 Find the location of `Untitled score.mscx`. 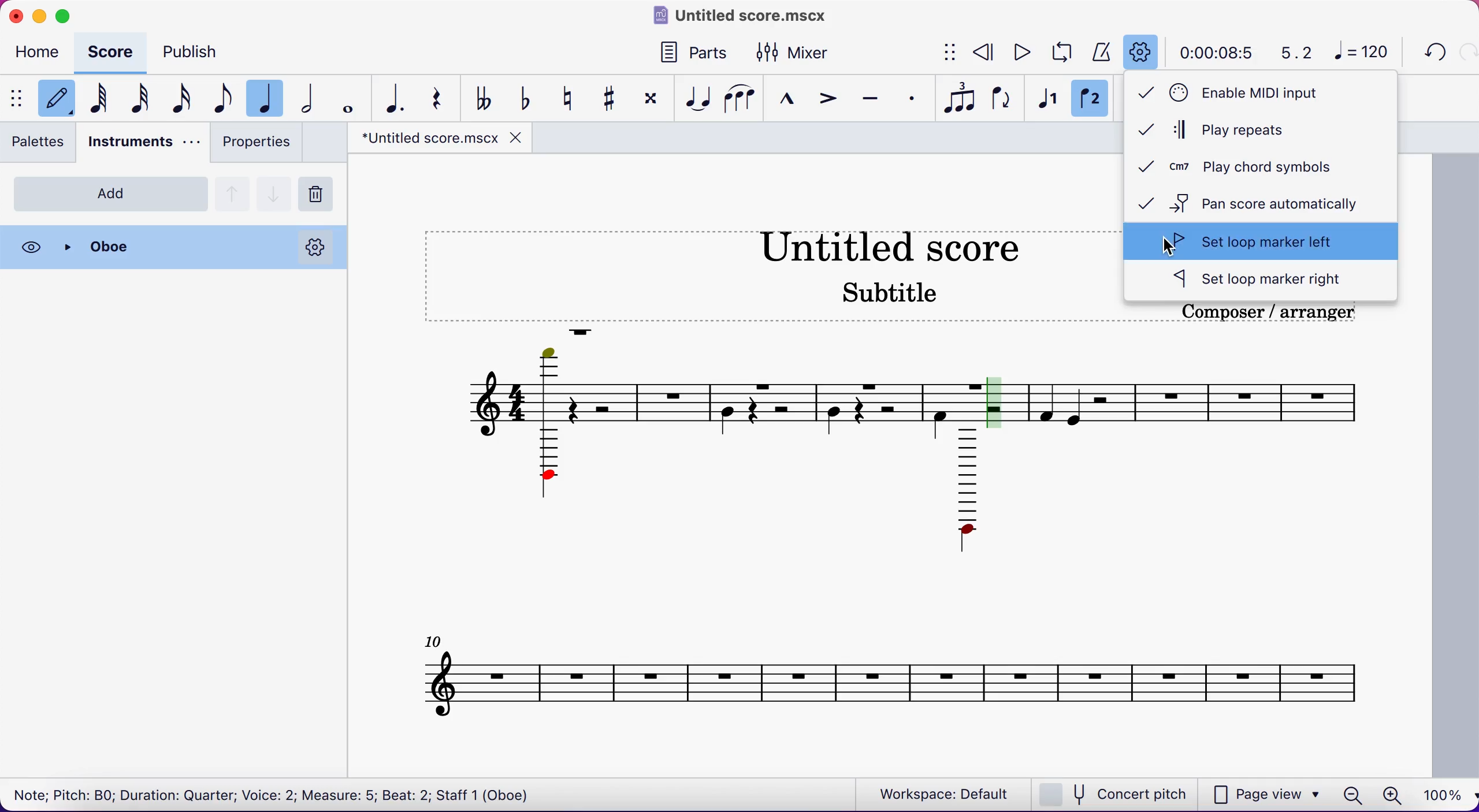

Untitled score.mscx is located at coordinates (743, 14).